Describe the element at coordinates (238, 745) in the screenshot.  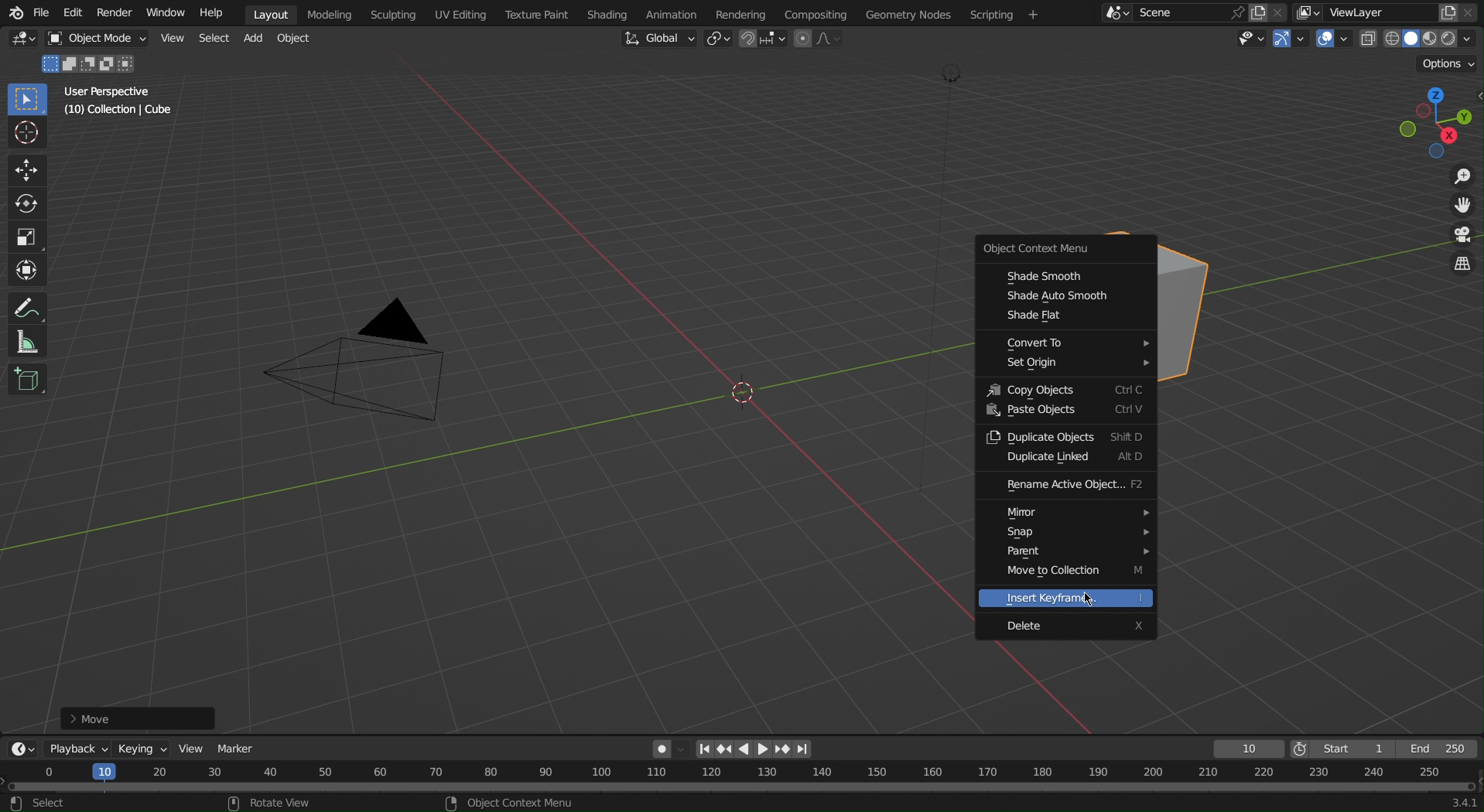
I see `Marker` at that location.